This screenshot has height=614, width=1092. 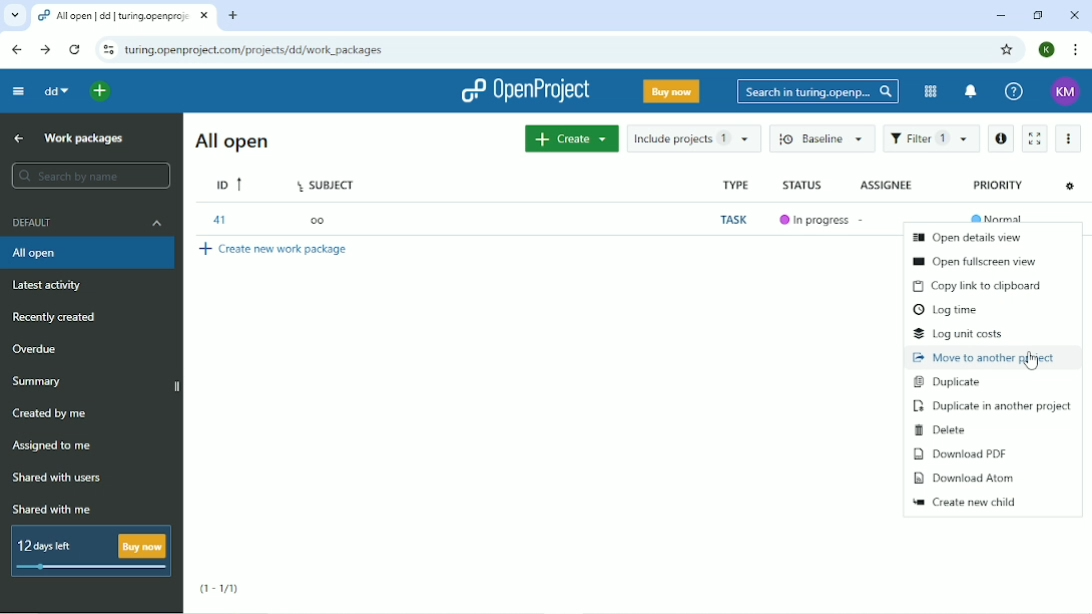 I want to click on Subject, so click(x=327, y=184).